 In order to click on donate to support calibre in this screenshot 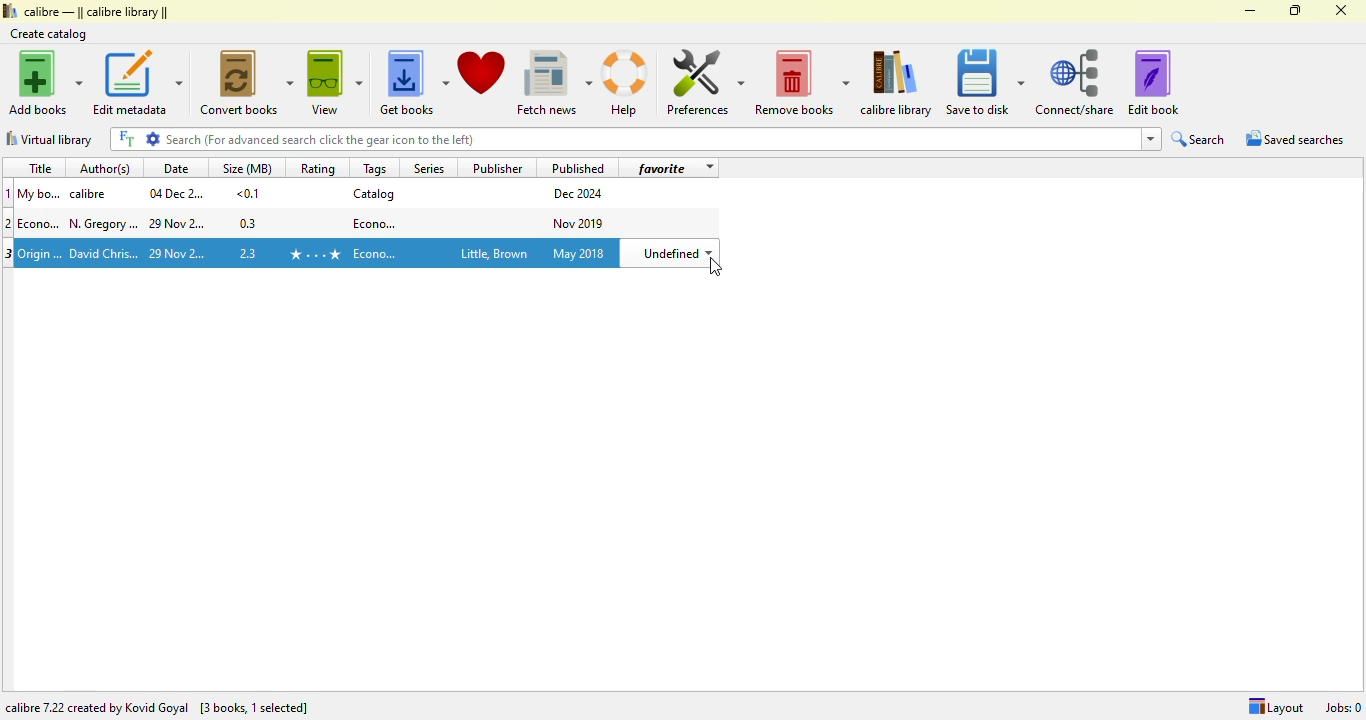, I will do `click(482, 73)`.